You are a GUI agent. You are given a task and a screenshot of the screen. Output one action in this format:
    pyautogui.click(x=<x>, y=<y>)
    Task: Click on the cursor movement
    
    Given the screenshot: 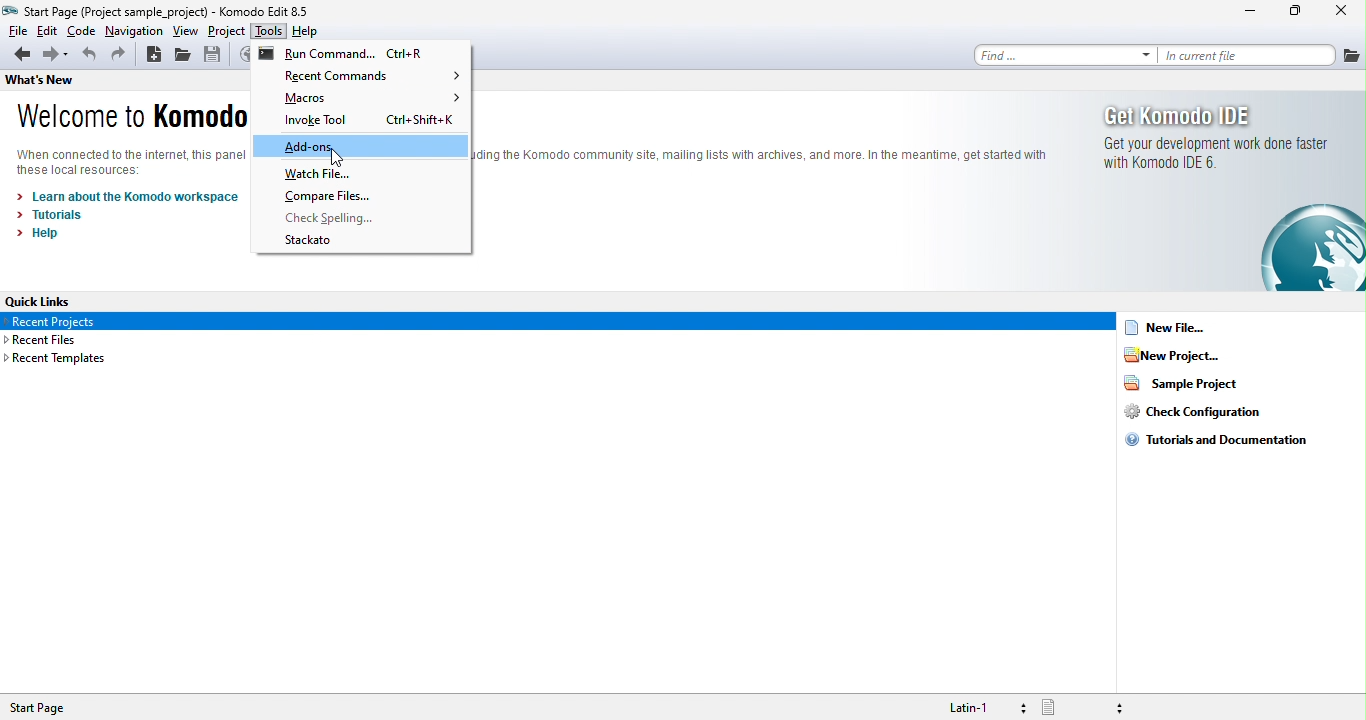 What is the action you would take?
    pyautogui.click(x=334, y=159)
    